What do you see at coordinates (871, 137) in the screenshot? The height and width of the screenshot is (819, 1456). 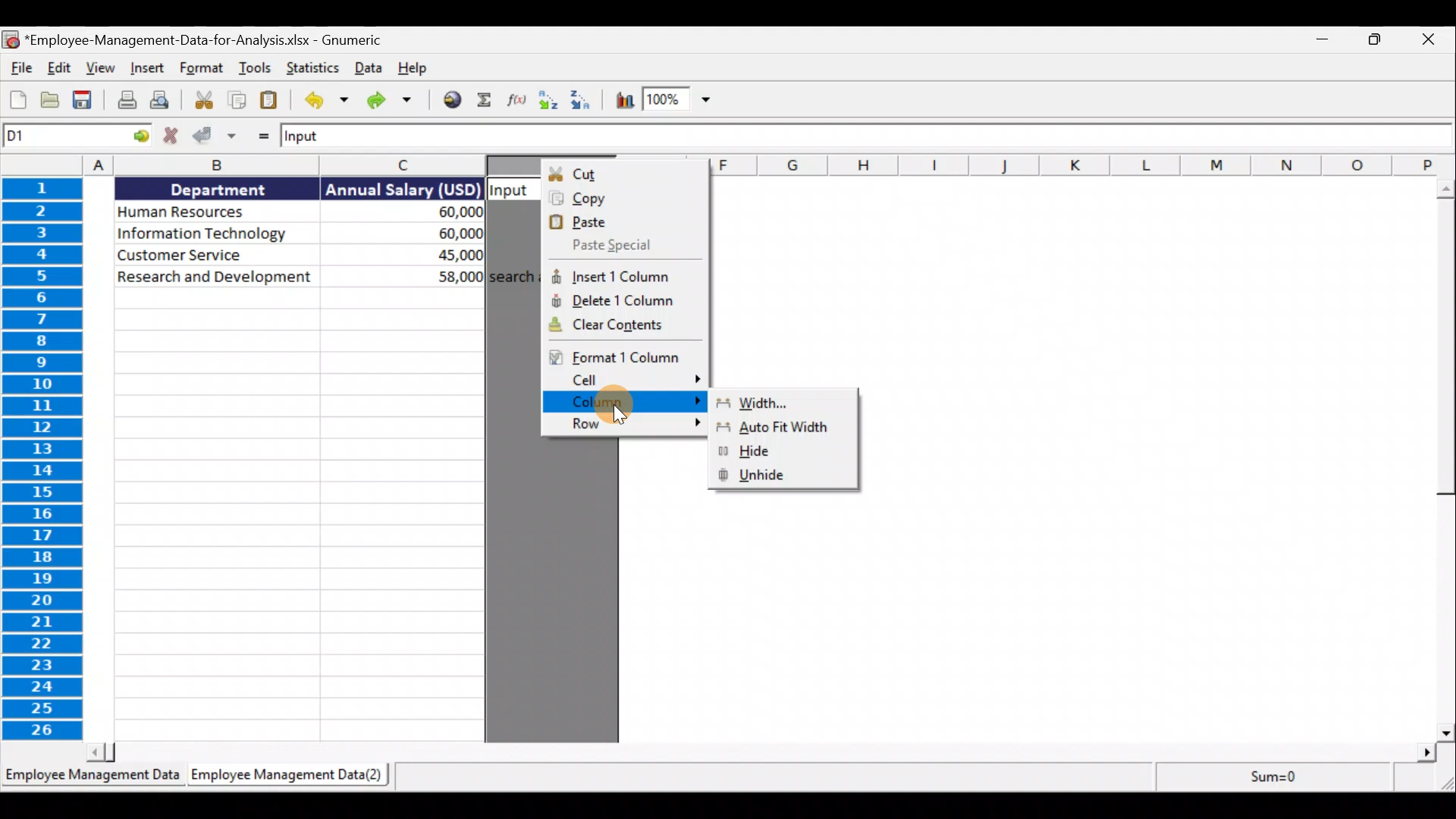 I see `Formula bar` at bounding box center [871, 137].